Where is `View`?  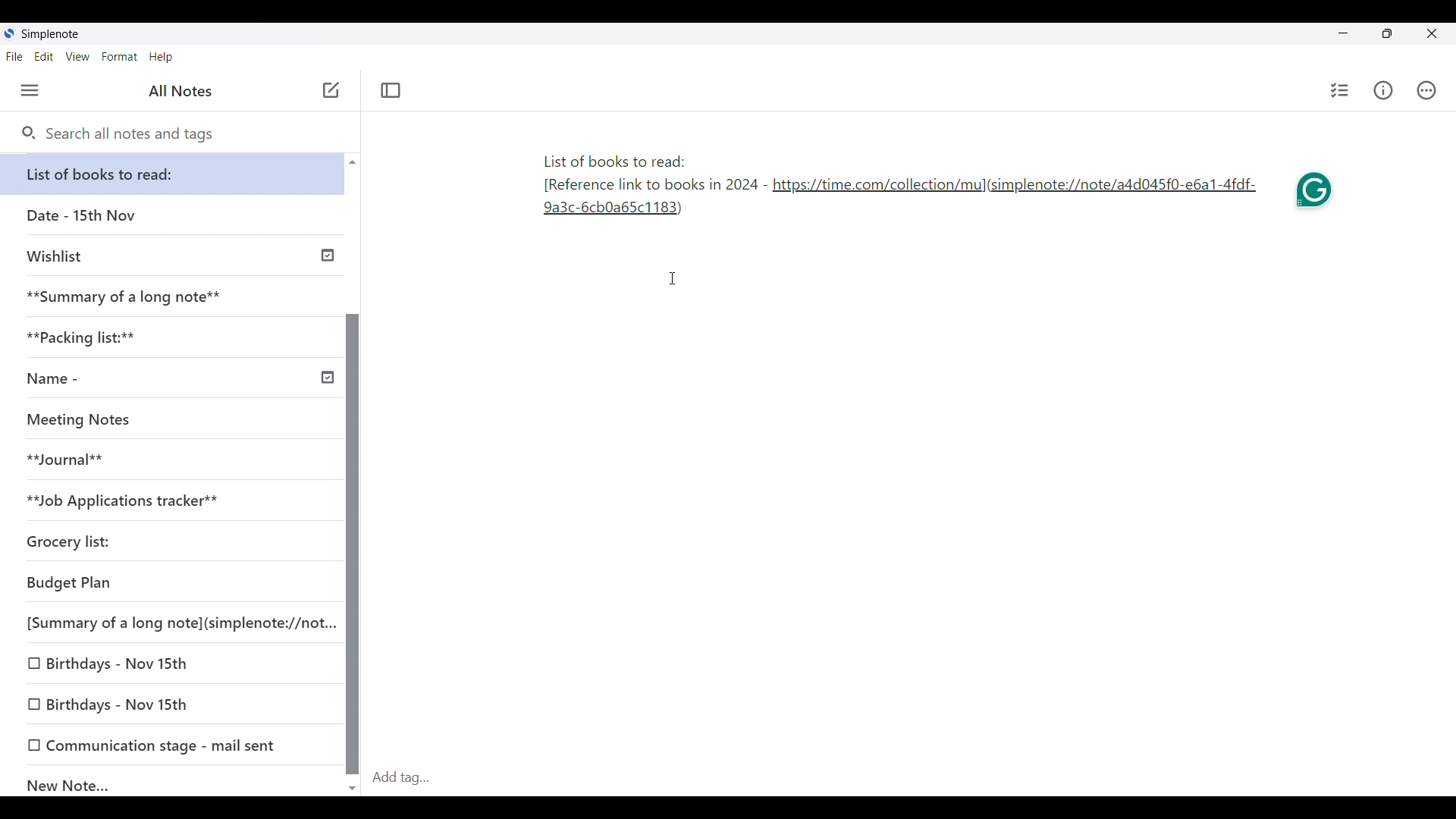
View is located at coordinates (78, 57).